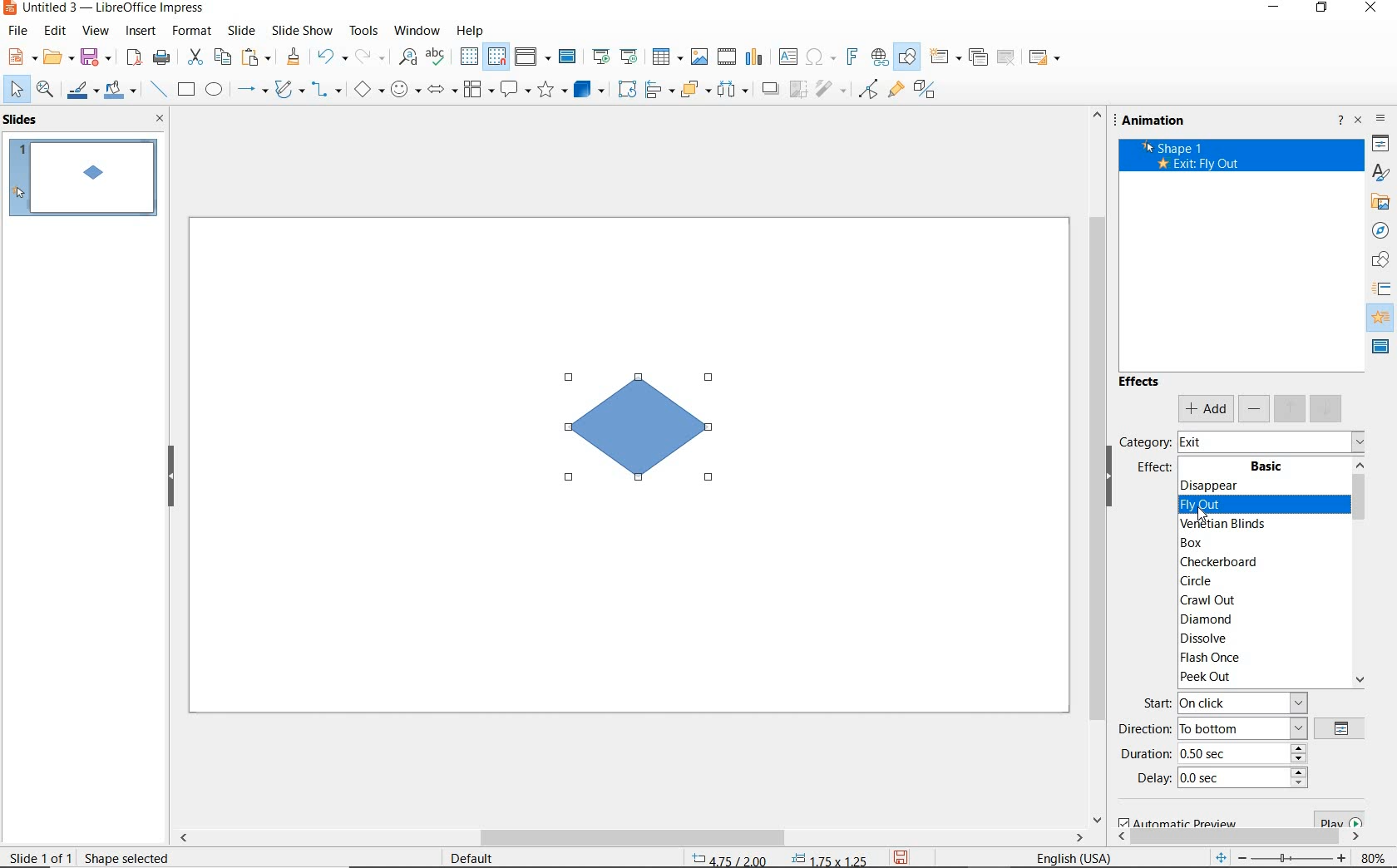  What do you see at coordinates (471, 31) in the screenshot?
I see `help` at bounding box center [471, 31].